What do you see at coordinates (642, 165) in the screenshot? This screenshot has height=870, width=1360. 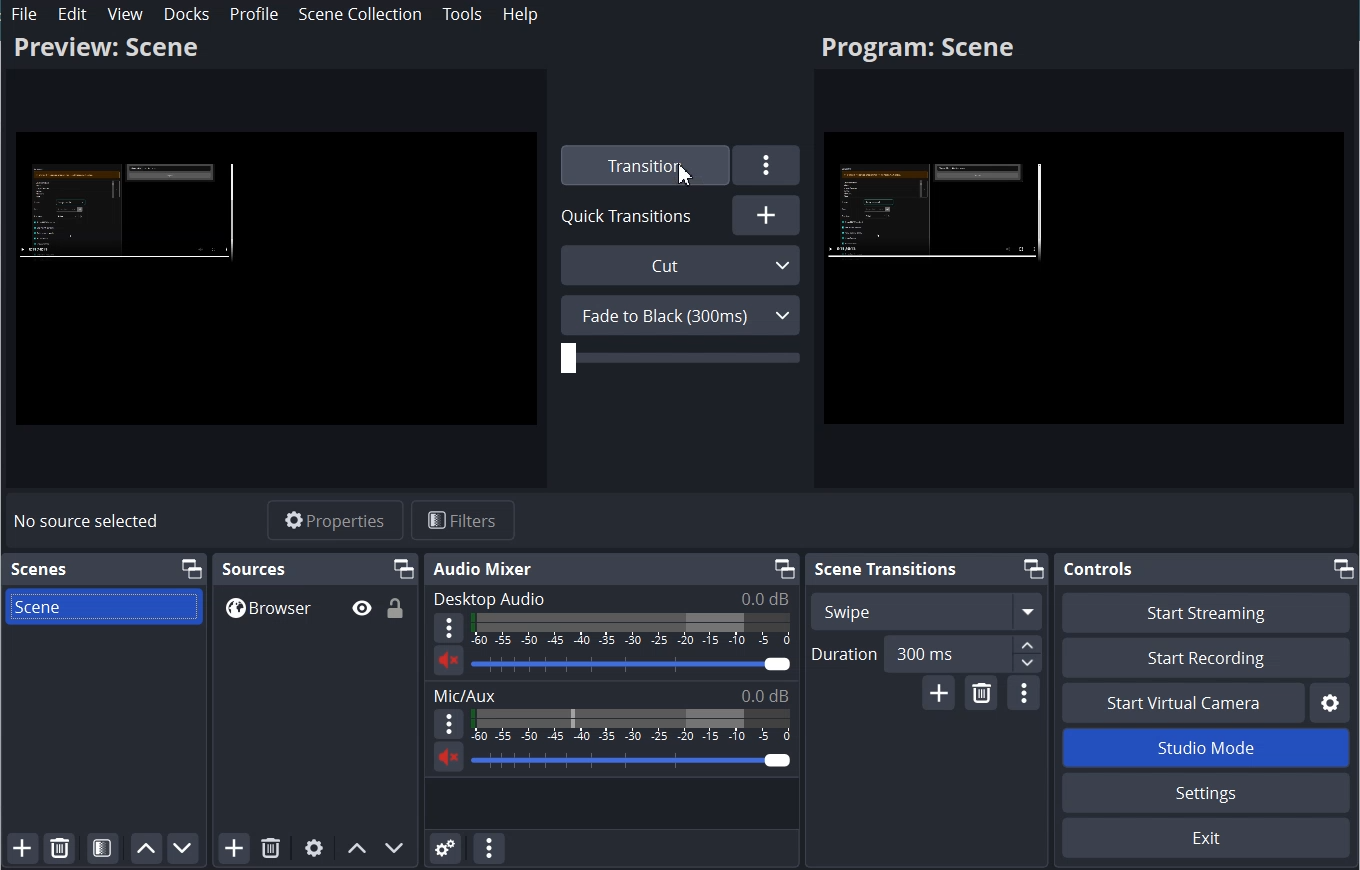 I see `Transition` at bounding box center [642, 165].